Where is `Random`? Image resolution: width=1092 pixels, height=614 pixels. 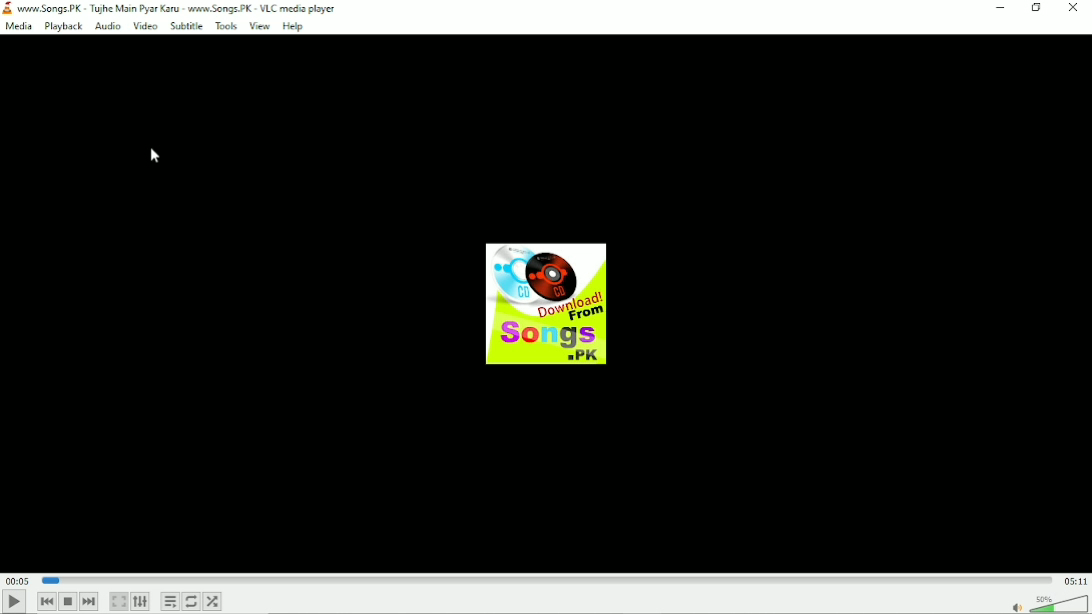
Random is located at coordinates (213, 601).